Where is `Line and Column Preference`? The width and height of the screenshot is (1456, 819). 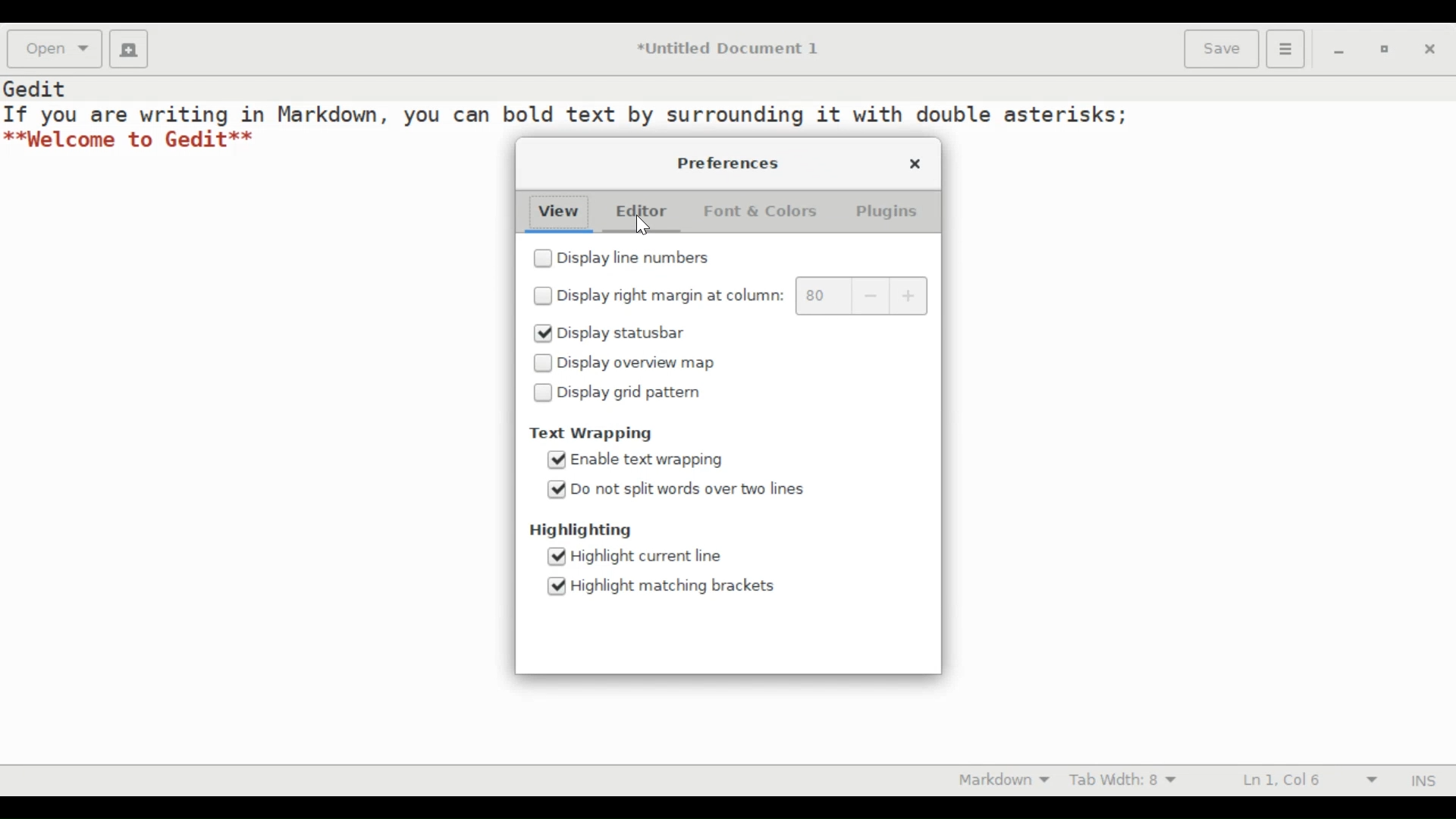 Line and Column Preference is located at coordinates (1313, 780).